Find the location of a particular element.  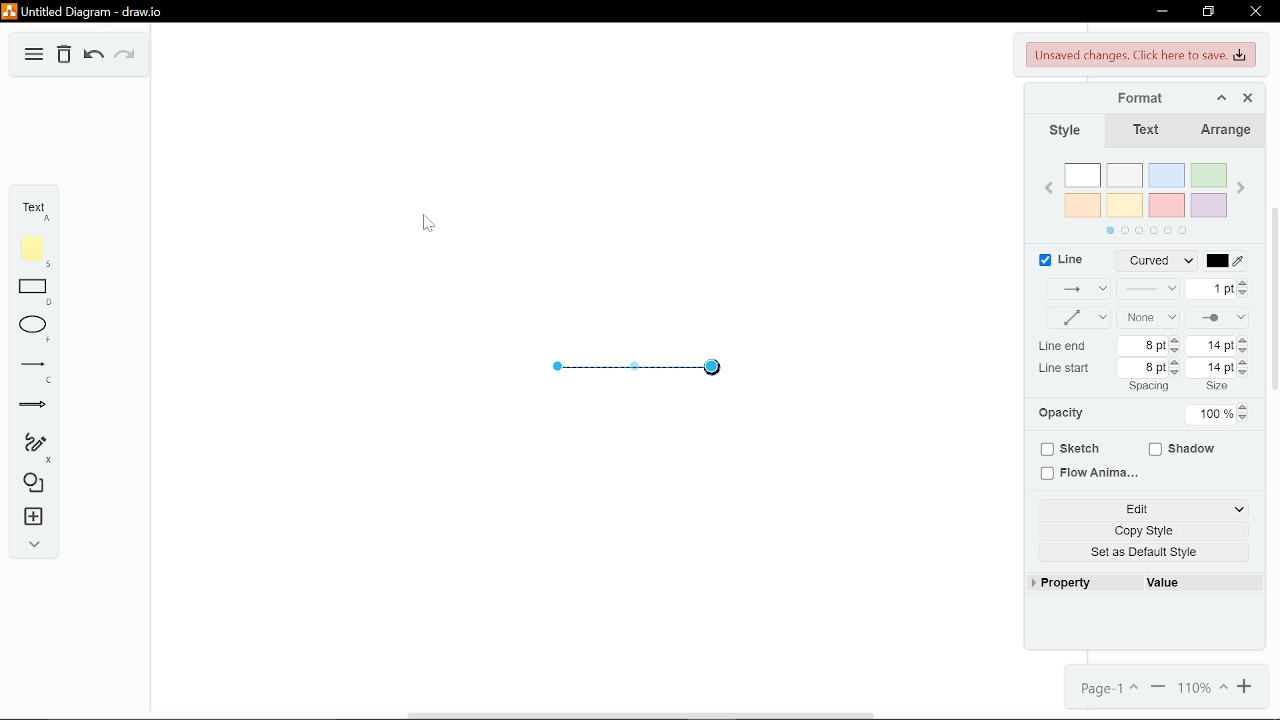

Decrease line start size is located at coordinates (1246, 372).